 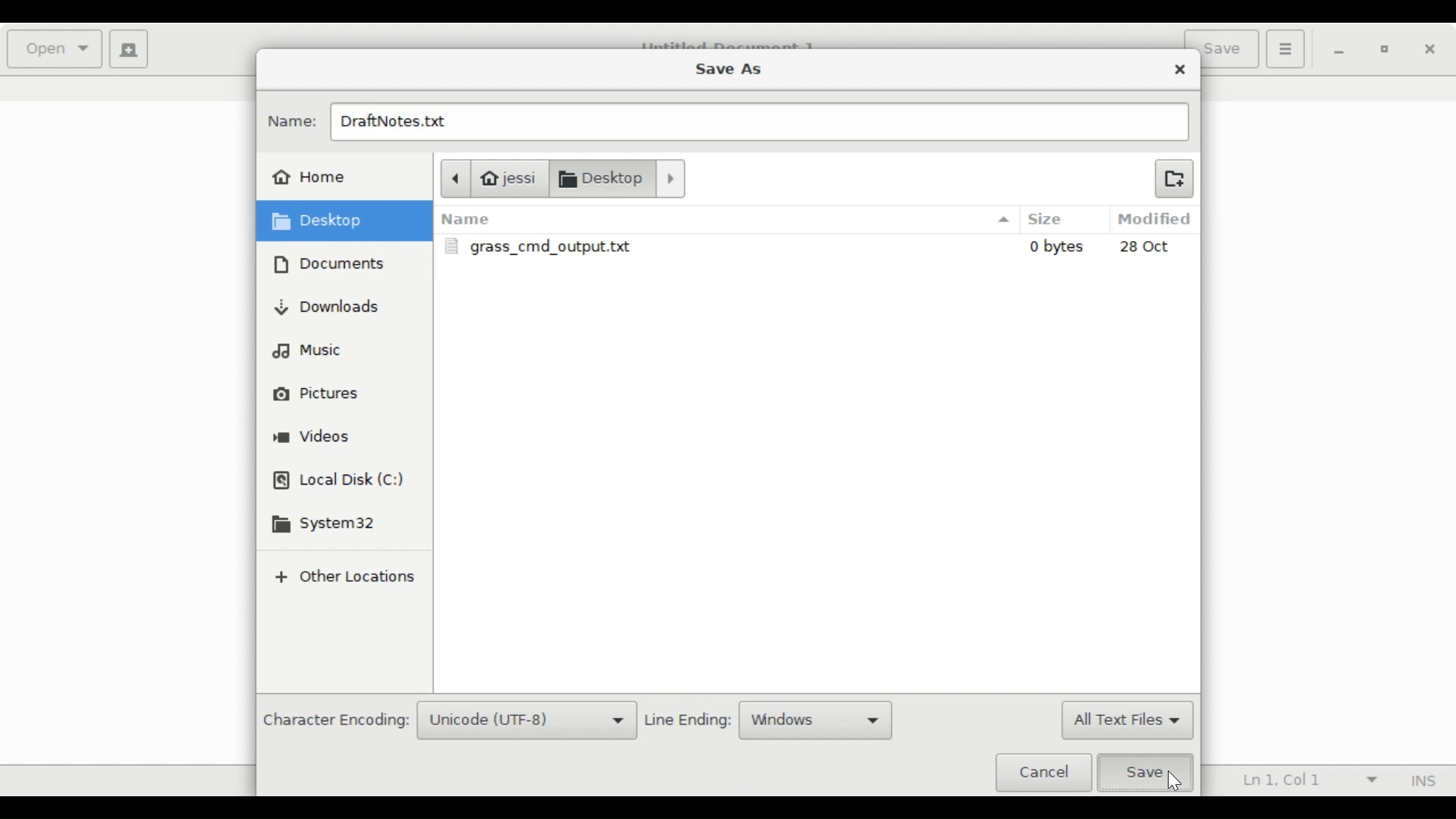 I want to click on Desktop, so click(x=325, y=221).